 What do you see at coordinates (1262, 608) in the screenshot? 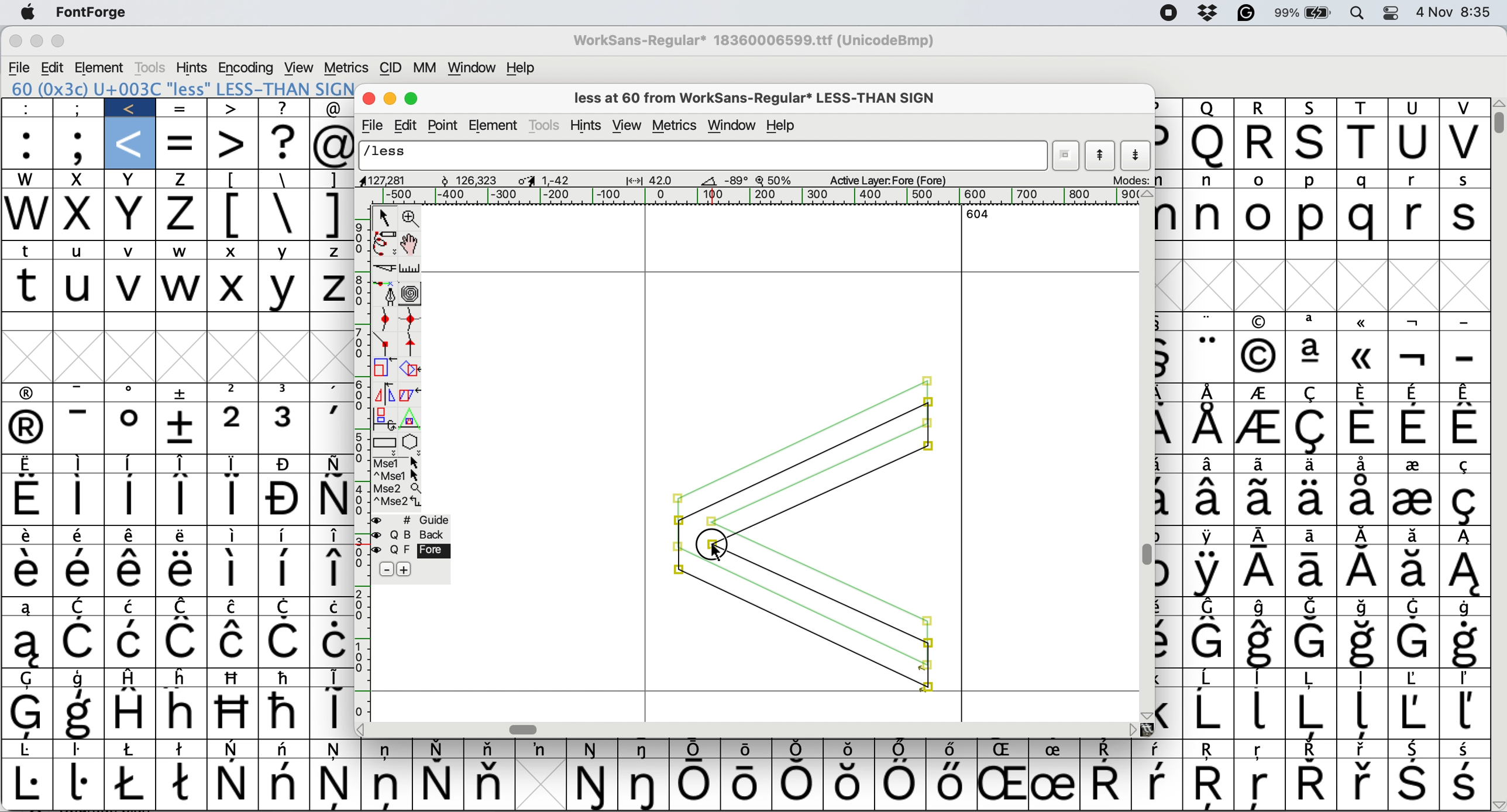
I see `Symbol` at bounding box center [1262, 608].